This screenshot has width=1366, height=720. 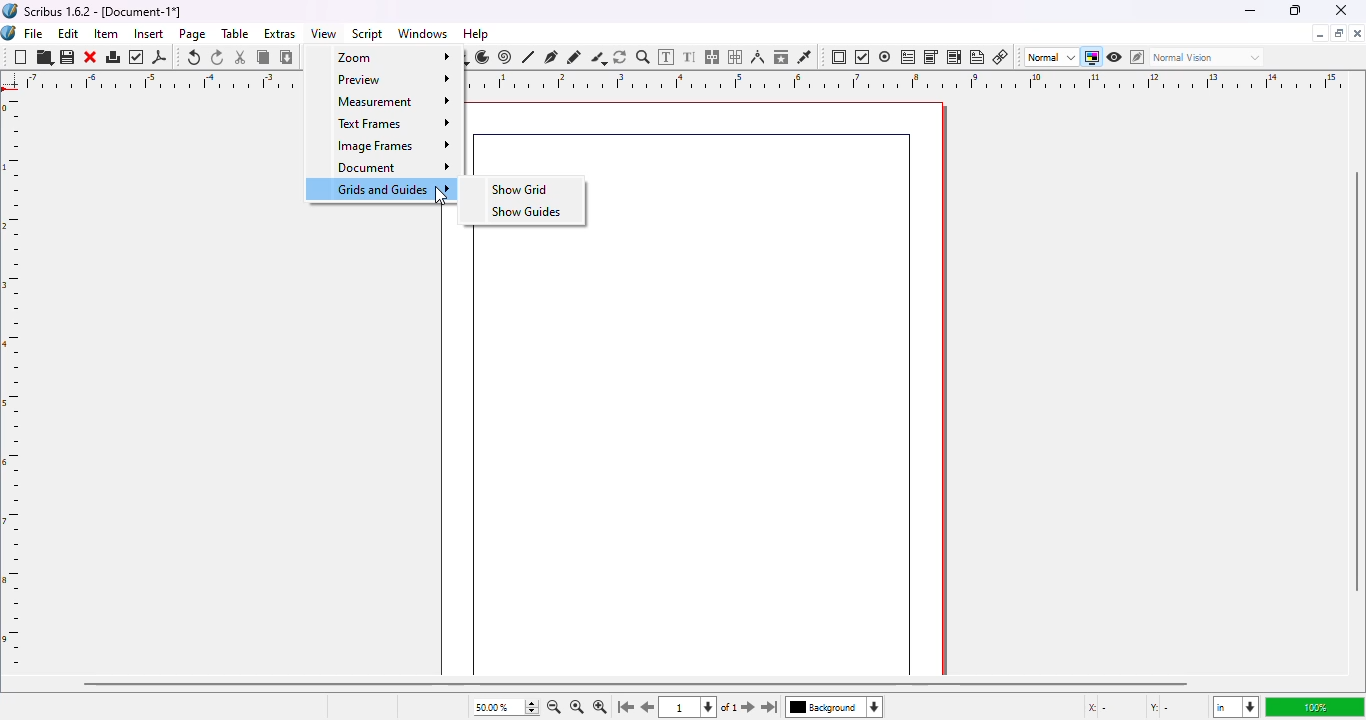 I want to click on zoom to 100%, so click(x=575, y=708).